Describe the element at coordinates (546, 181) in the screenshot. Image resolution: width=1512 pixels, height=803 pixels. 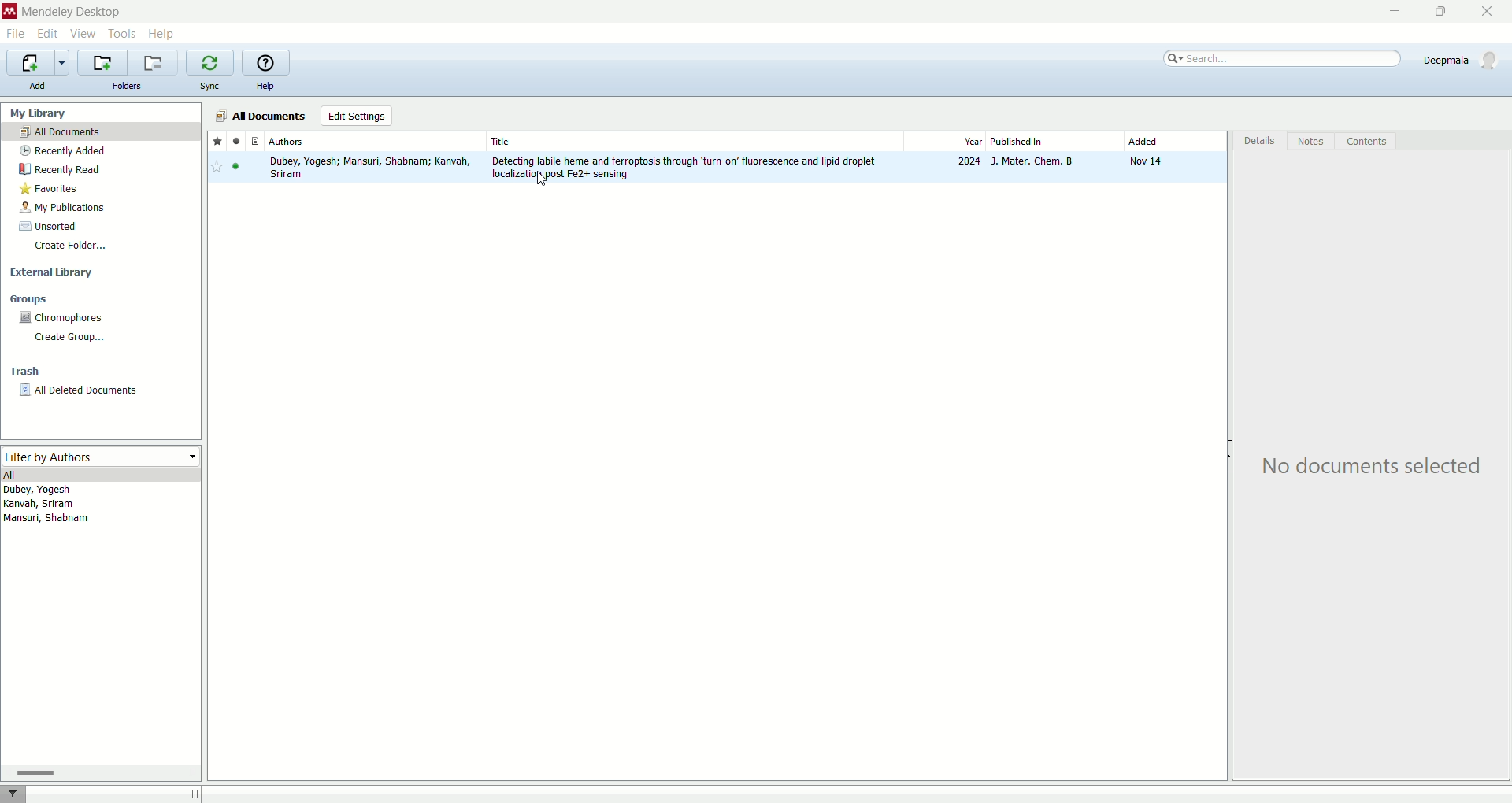
I see `cursor` at that location.